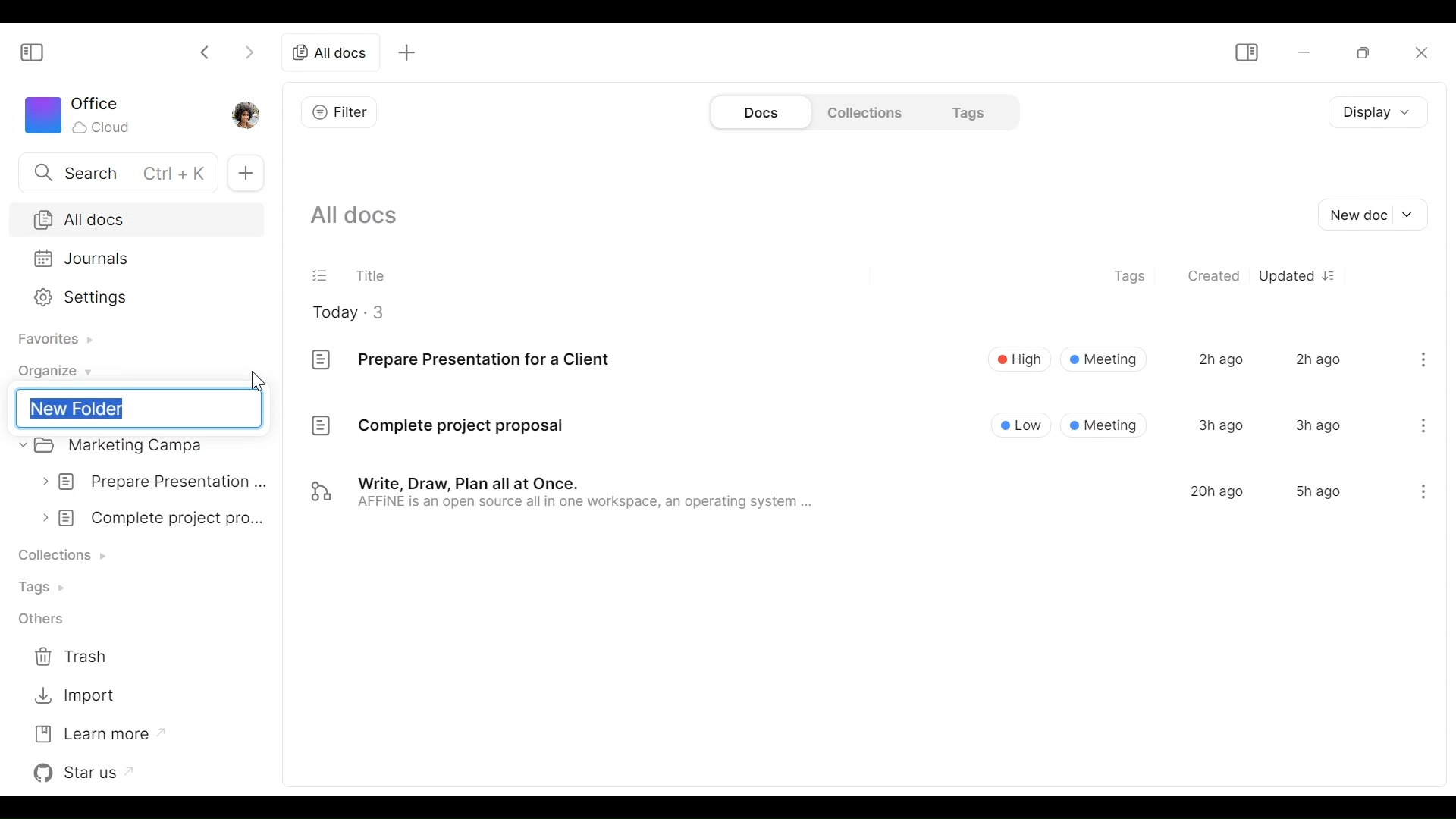  Describe the element at coordinates (1132, 278) in the screenshot. I see `Tags` at that location.